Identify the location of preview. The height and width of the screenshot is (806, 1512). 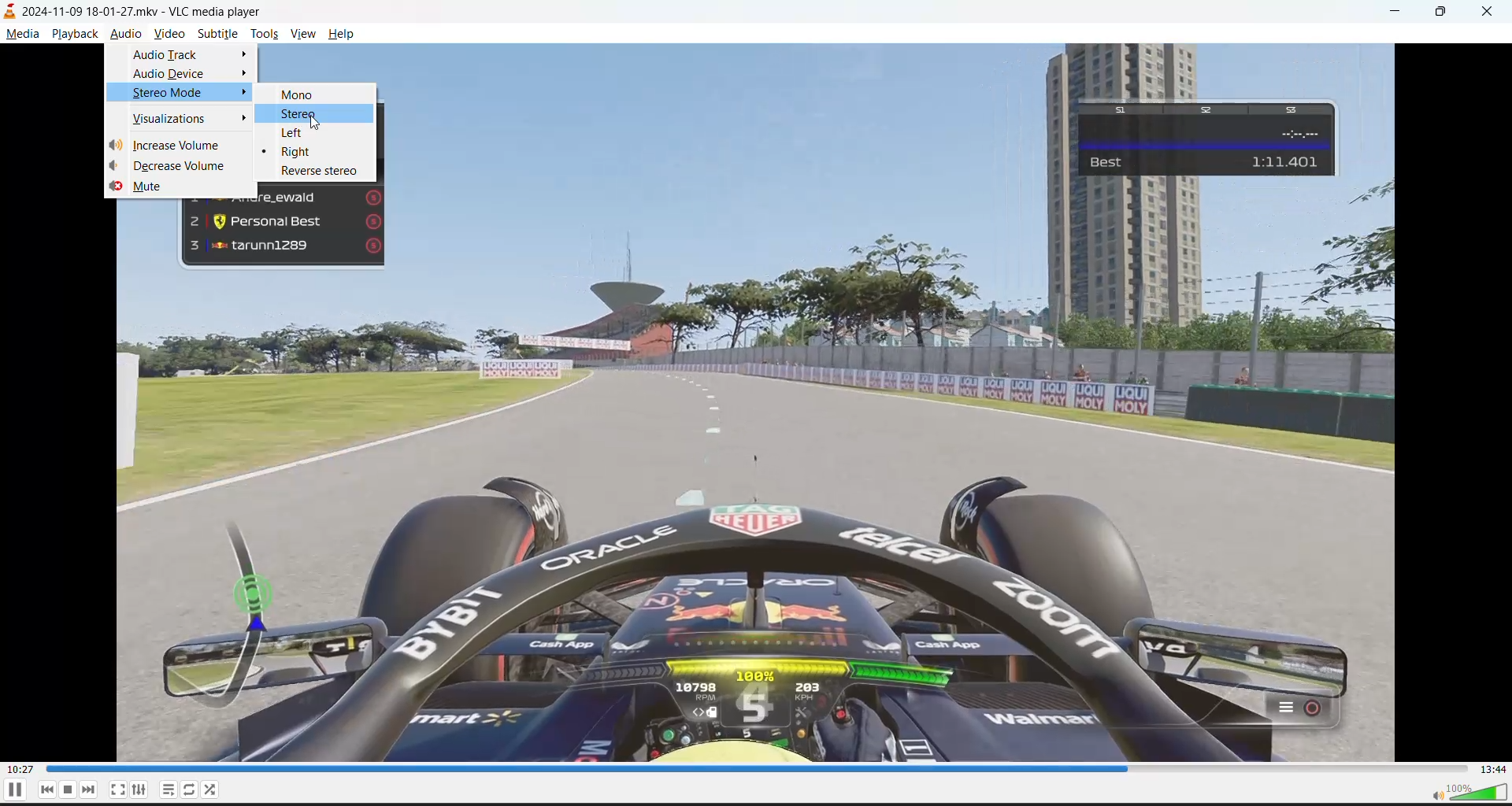
(1370, 194).